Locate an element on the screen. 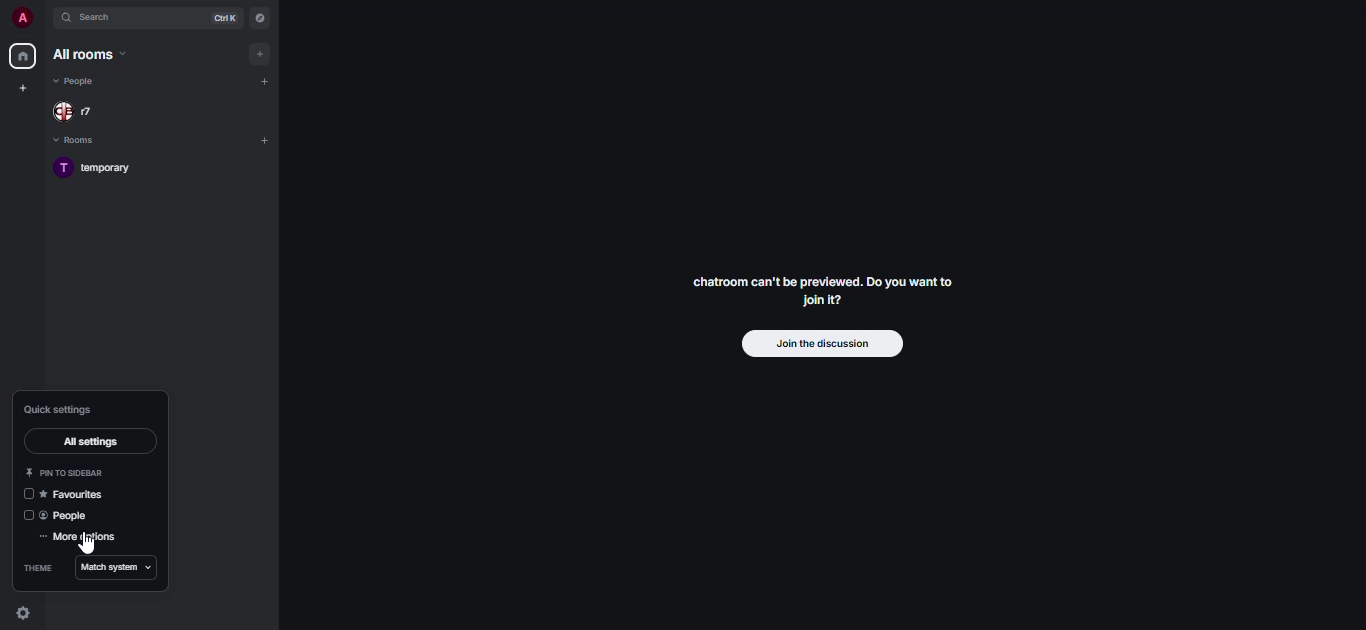 The width and height of the screenshot is (1366, 630). click to enable is located at coordinates (27, 518).